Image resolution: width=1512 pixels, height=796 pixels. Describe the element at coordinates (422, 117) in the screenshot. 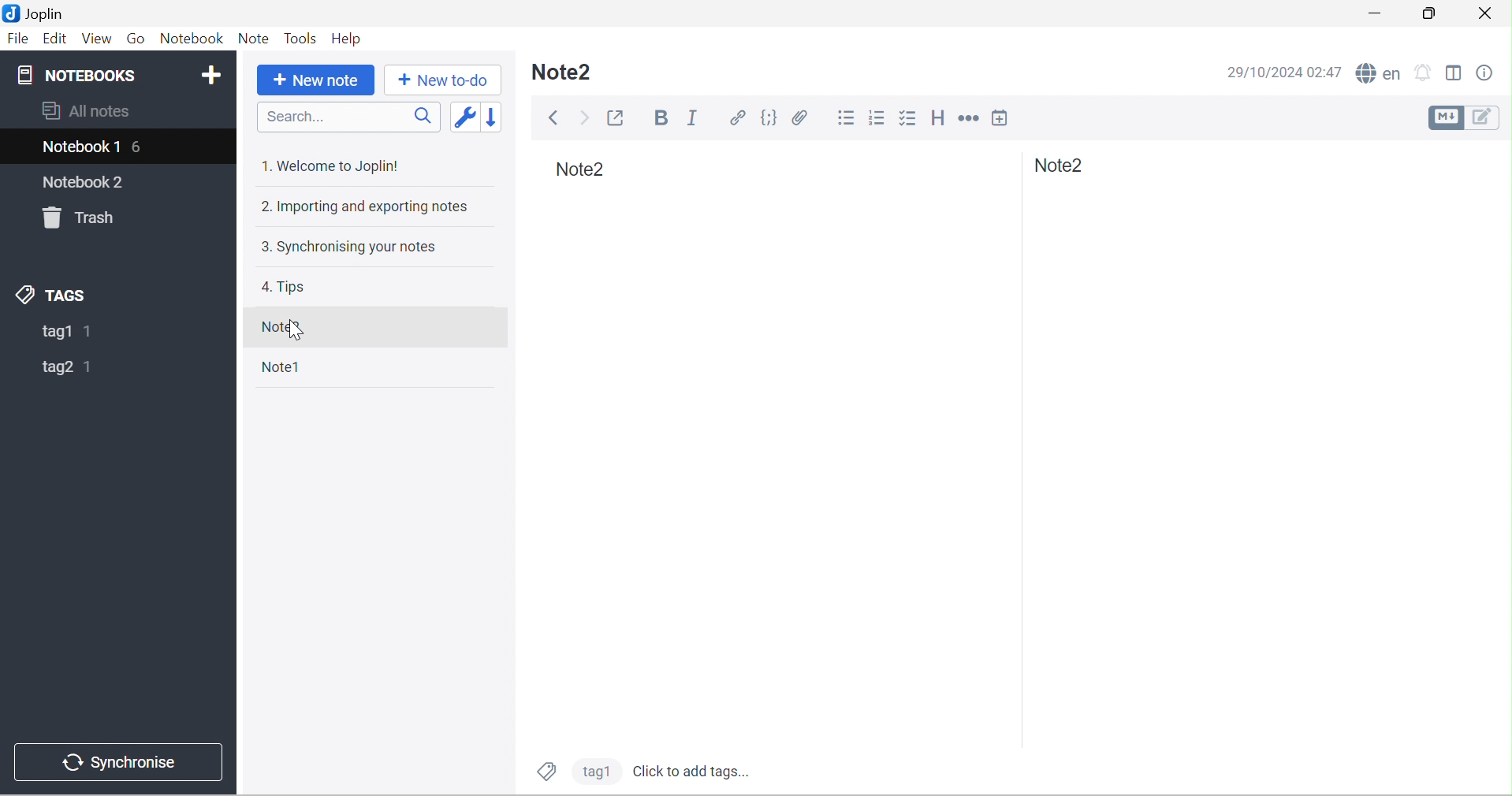

I see `Search icon` at that location.